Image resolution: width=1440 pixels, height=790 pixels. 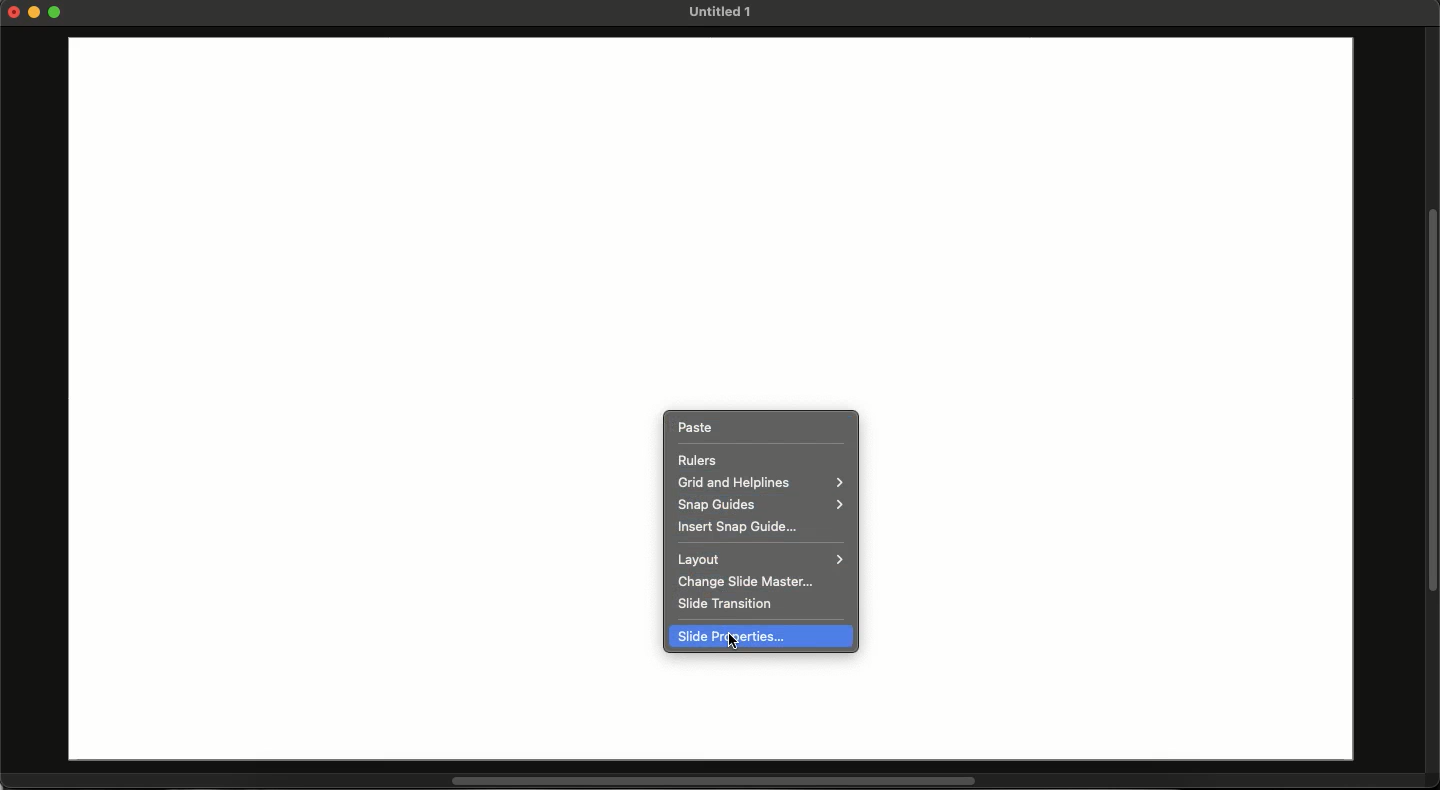 What do you see at coordinates (735, 645) in the screenshot?
I see `cursor` at bounding box center [735, 645].